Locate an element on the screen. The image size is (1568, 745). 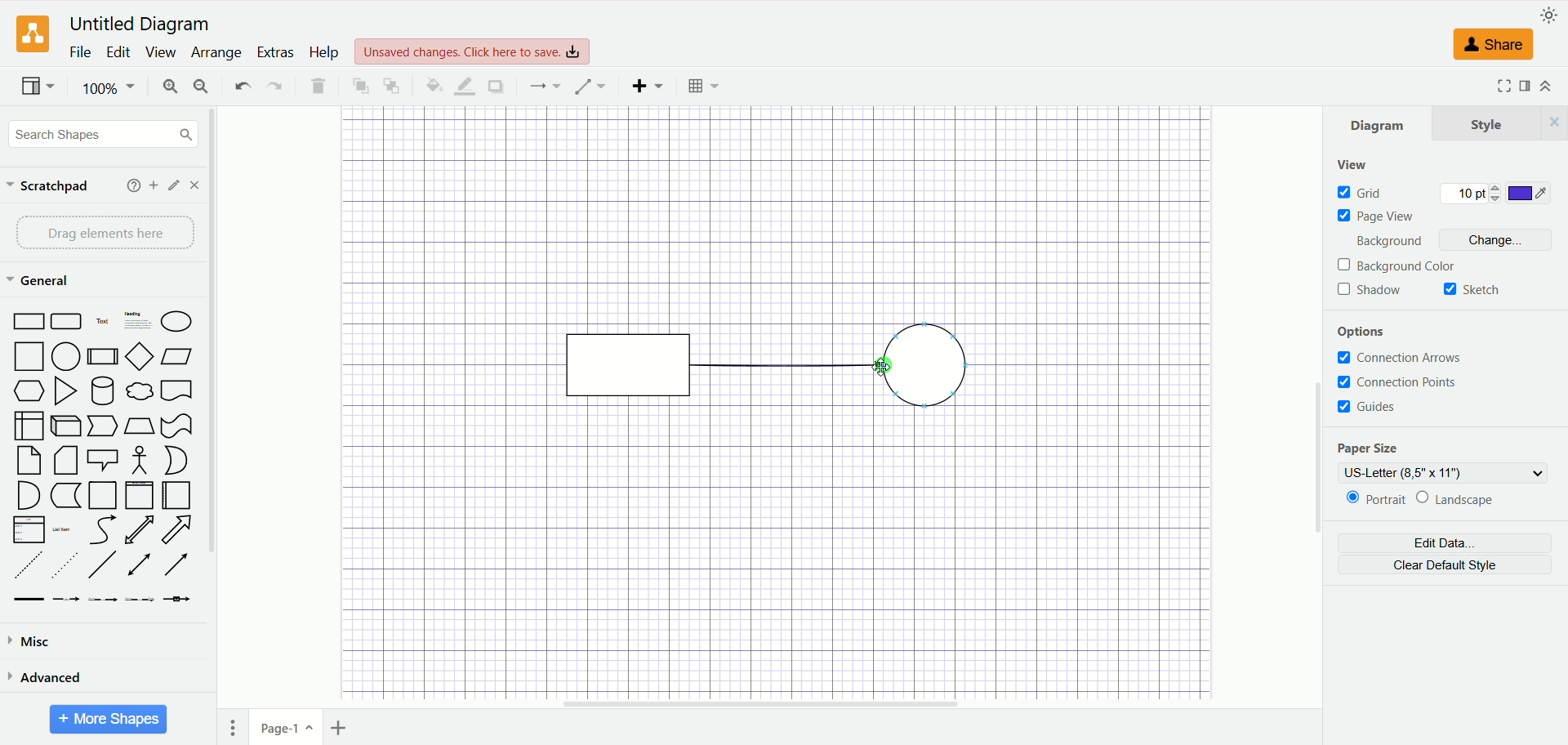
help is located at coordinates (324, 53).